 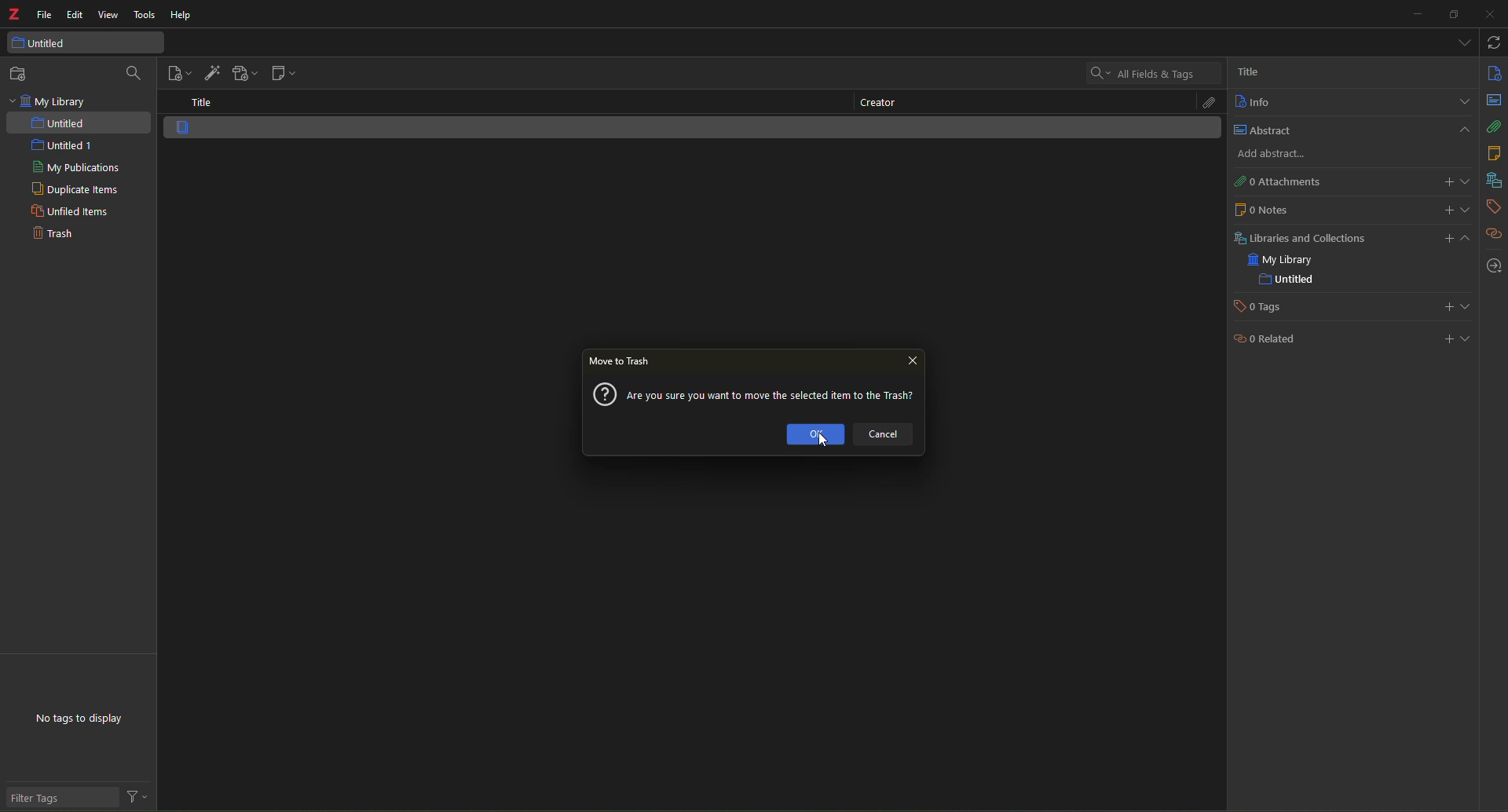 I want to click on tools, so click(x=145, y=16).